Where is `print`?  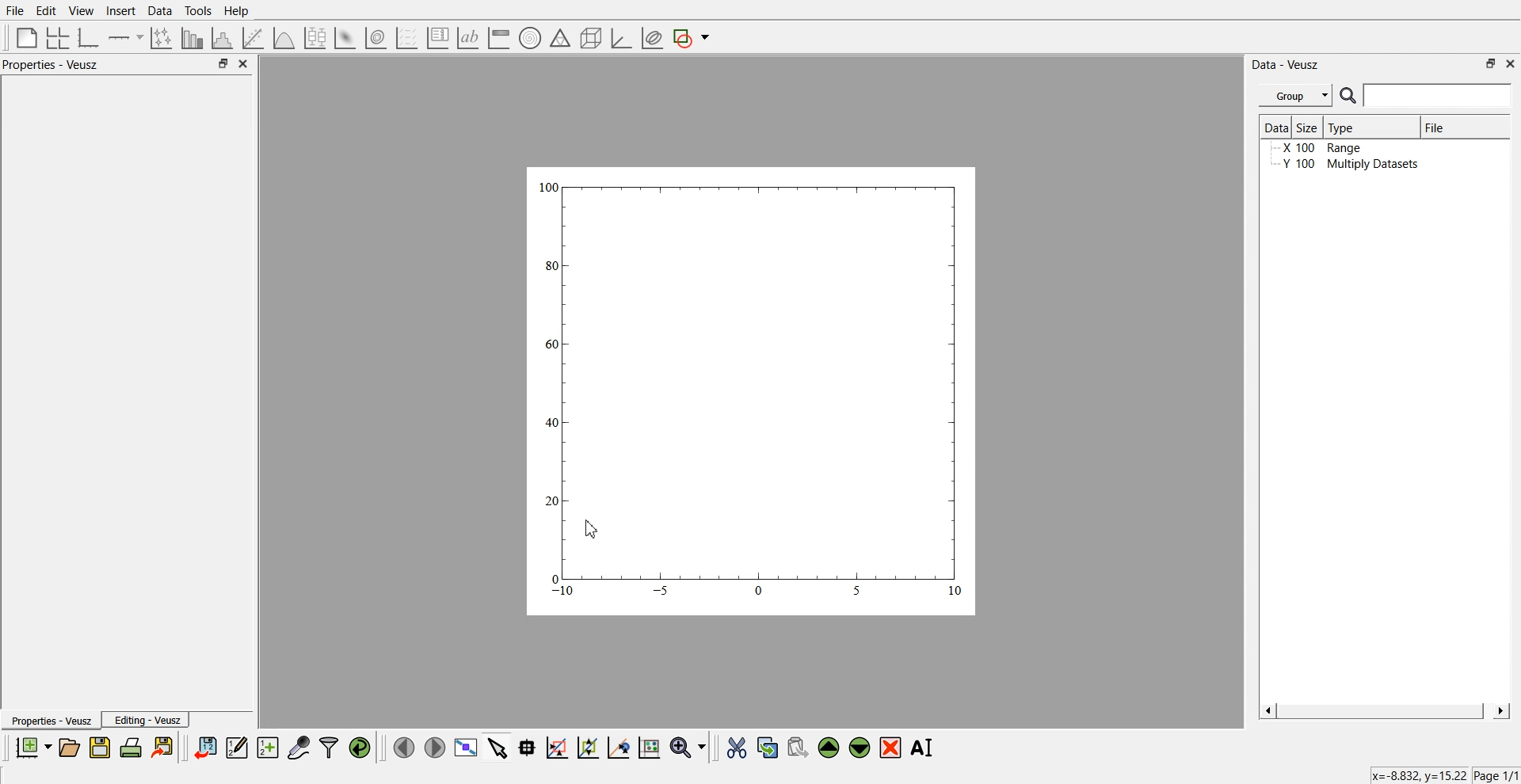 print is located at coordinates (135, 747).